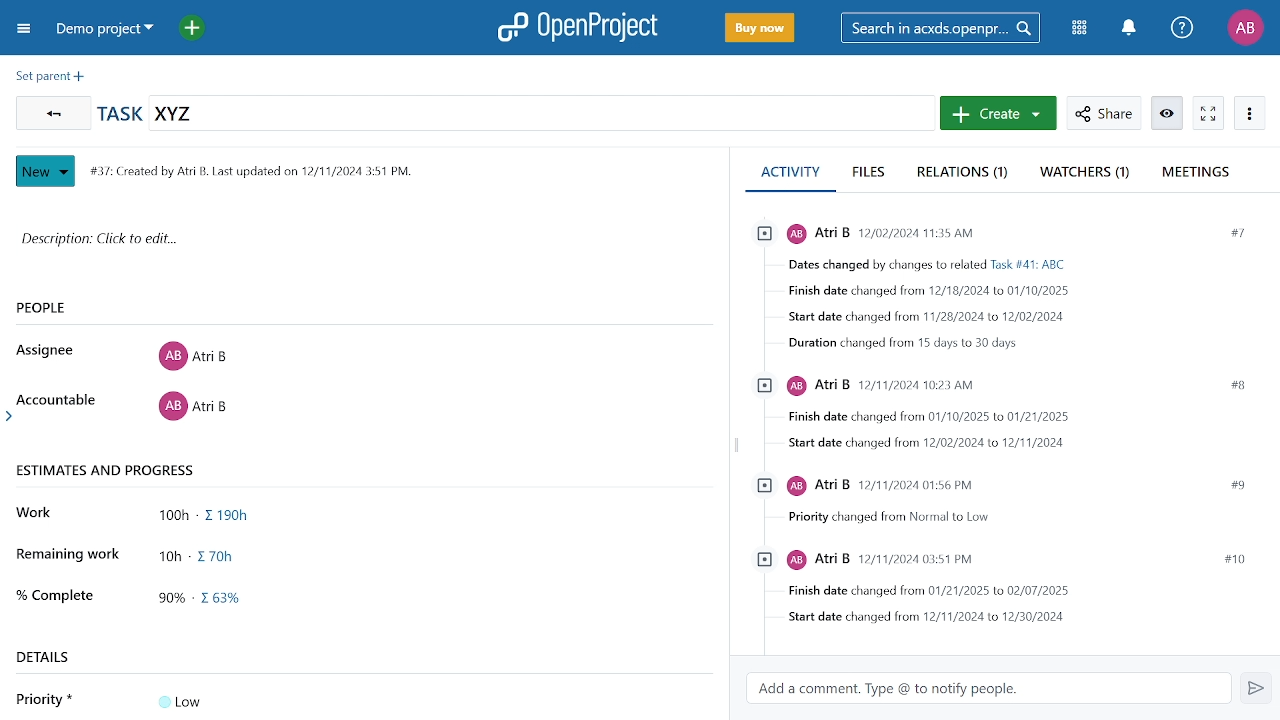 The width and height of the screenshot is (1280, 720). What do you see at coordinates (152, 599) in the screenshot?
I see `% Complete 90% - sigma symbol 63%` at bounding box center [152, 599].